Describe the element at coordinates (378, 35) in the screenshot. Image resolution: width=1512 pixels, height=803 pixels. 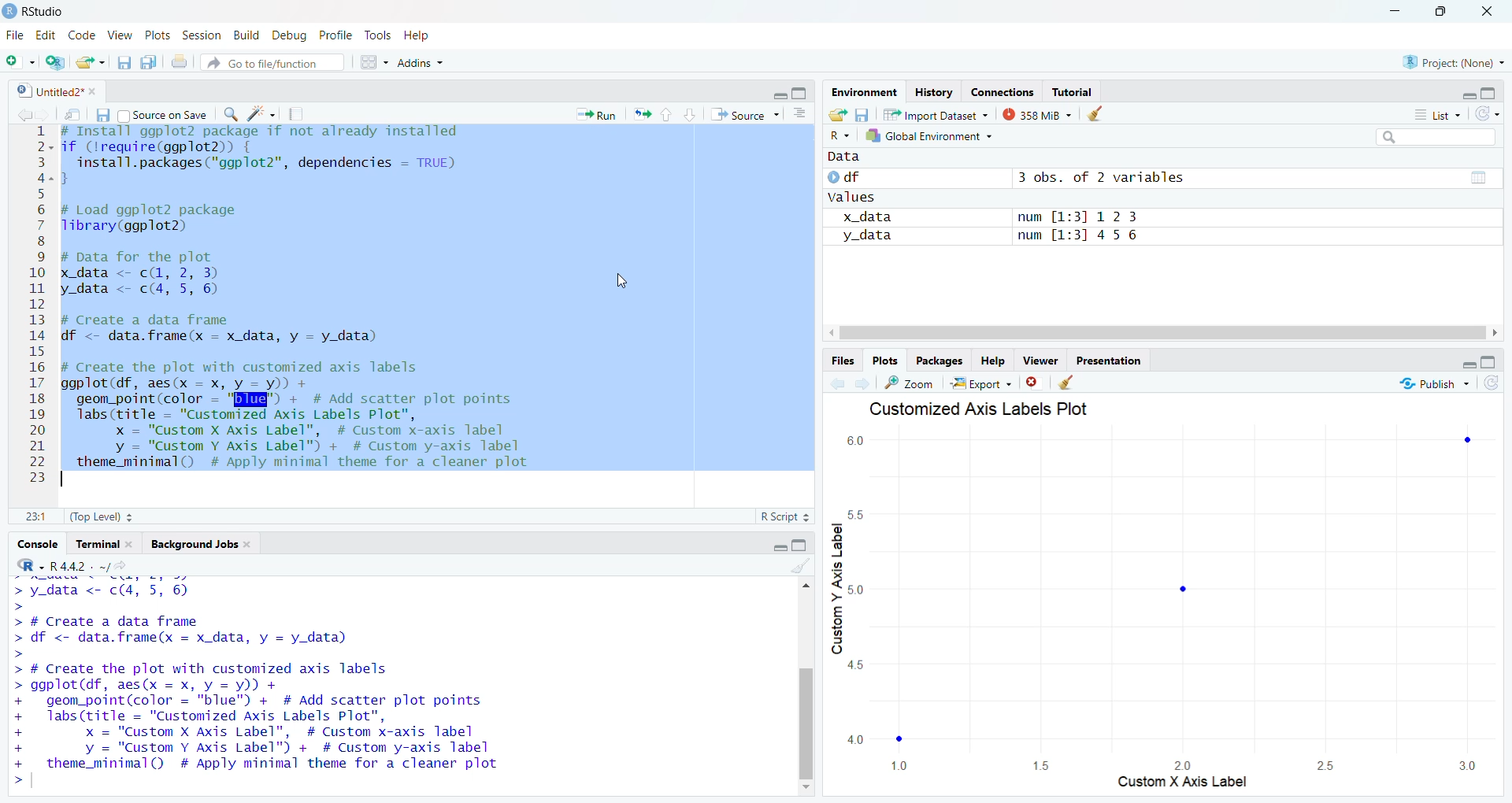
I see `Tools` at that location.